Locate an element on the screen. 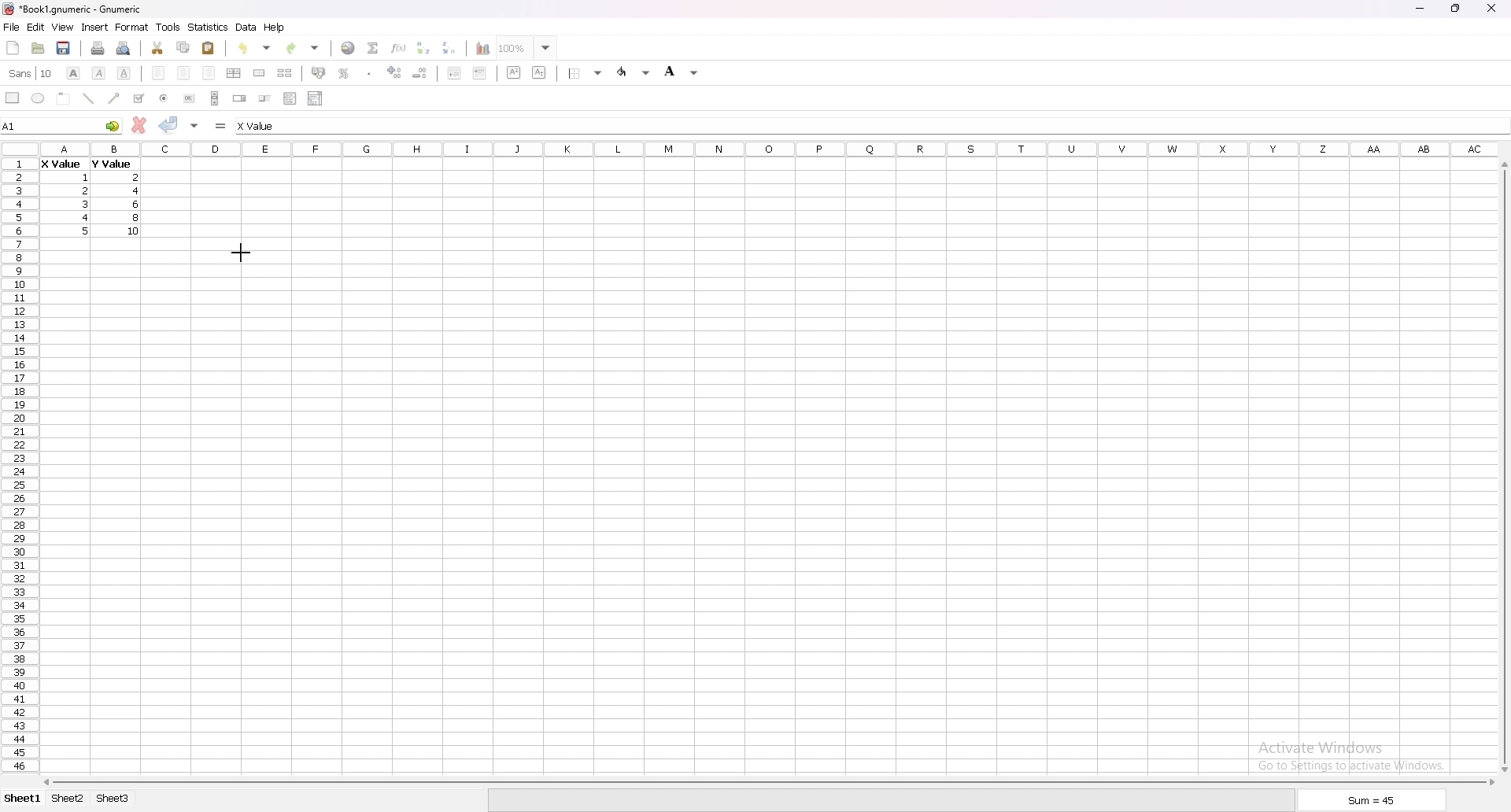 The width and height of the screenshot is (1511, 812). sort descending is located at coordinates (449, 47).